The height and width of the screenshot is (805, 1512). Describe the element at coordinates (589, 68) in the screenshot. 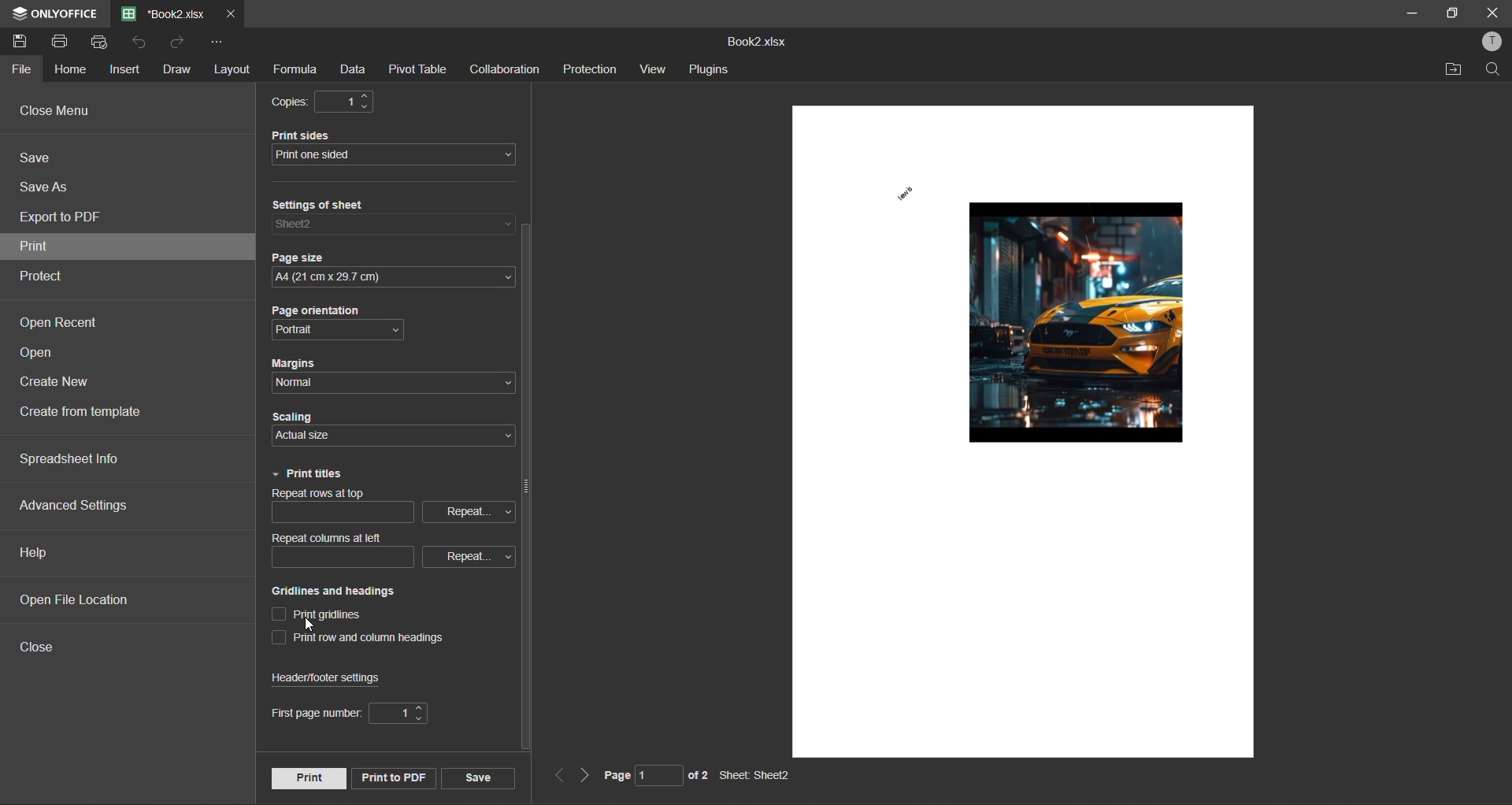

I see `protection` at that location.